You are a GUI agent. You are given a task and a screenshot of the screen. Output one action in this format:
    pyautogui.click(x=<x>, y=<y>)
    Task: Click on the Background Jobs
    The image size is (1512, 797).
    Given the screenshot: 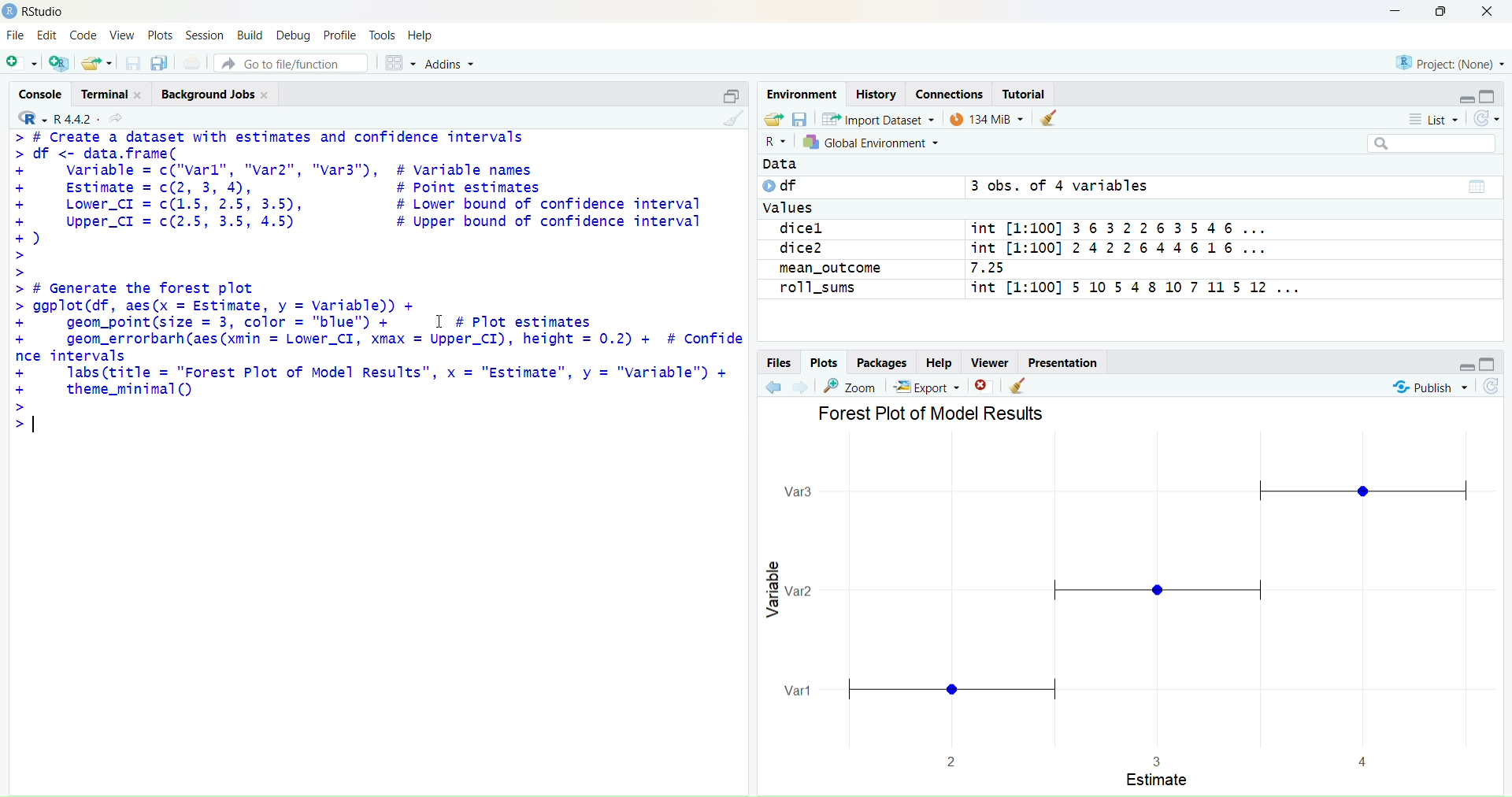 What is the action you would take?
    pyautogui.click(x=216, y=93)
    